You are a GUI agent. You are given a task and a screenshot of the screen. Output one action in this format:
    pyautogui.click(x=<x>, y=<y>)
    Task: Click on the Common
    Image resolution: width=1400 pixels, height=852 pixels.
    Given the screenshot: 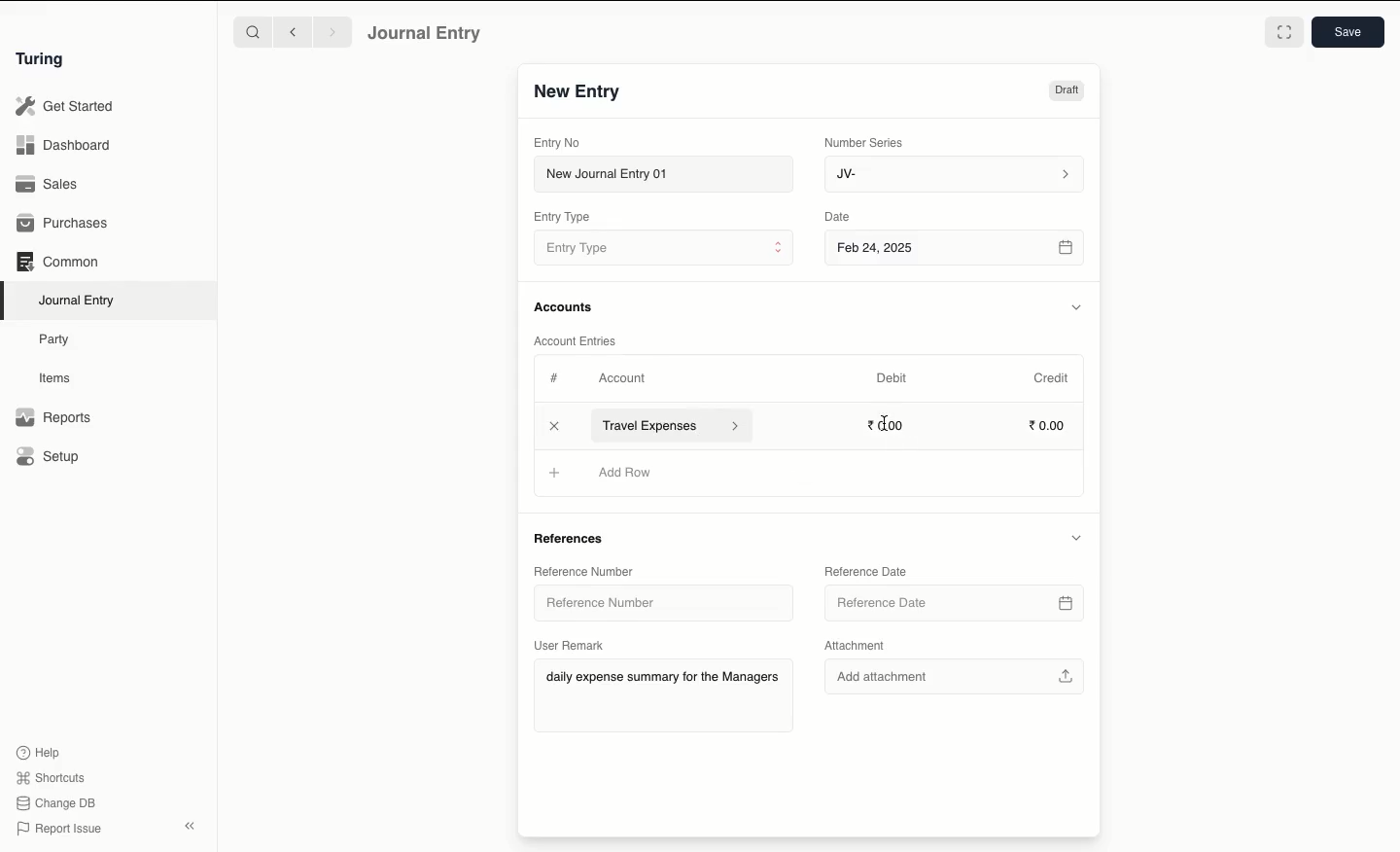 What is the action you would take?
    pyautogui.click(x=59, y=262)
    